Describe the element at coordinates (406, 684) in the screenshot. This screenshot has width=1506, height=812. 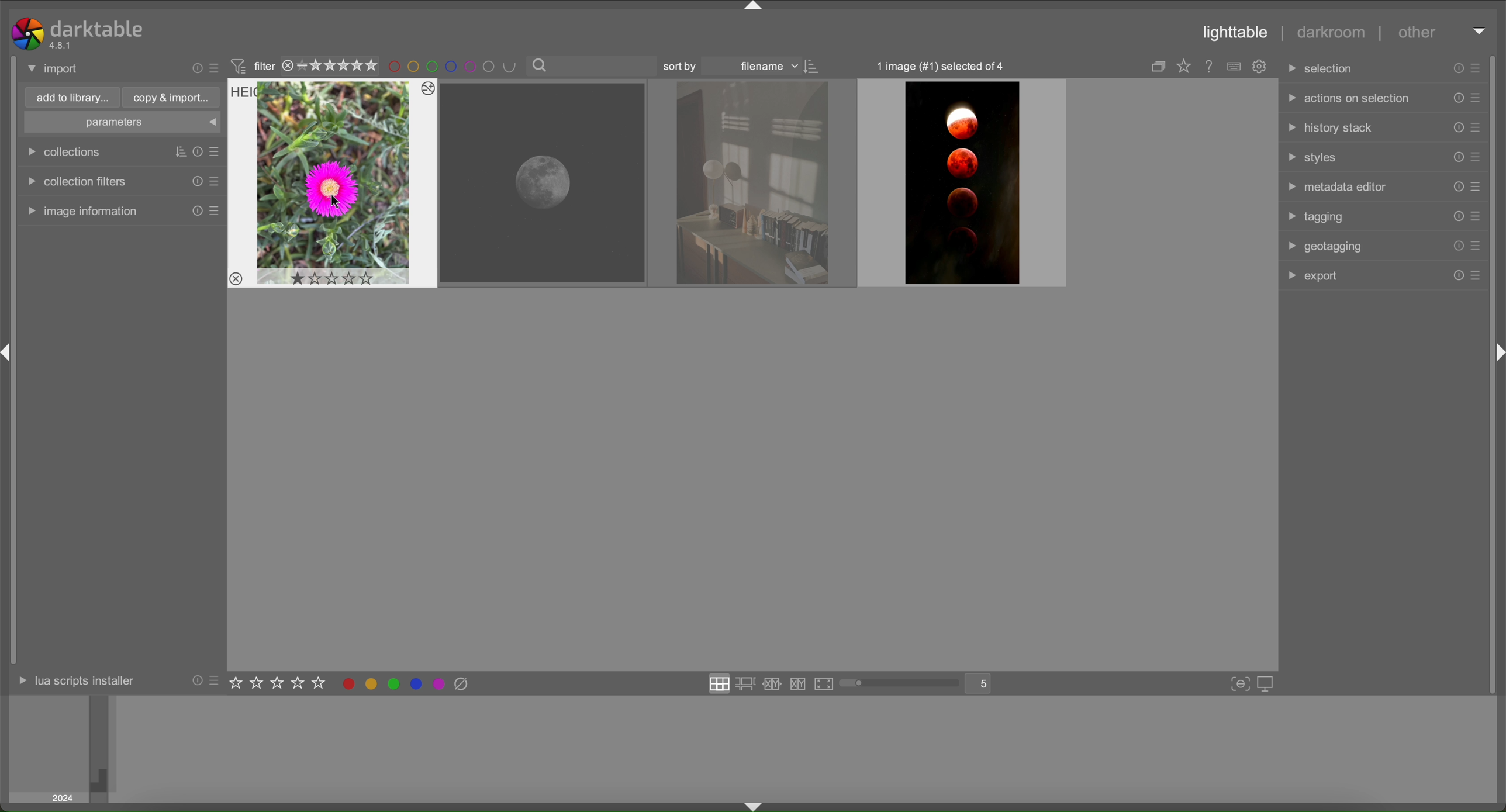
I see `filter by images color level` at that location.